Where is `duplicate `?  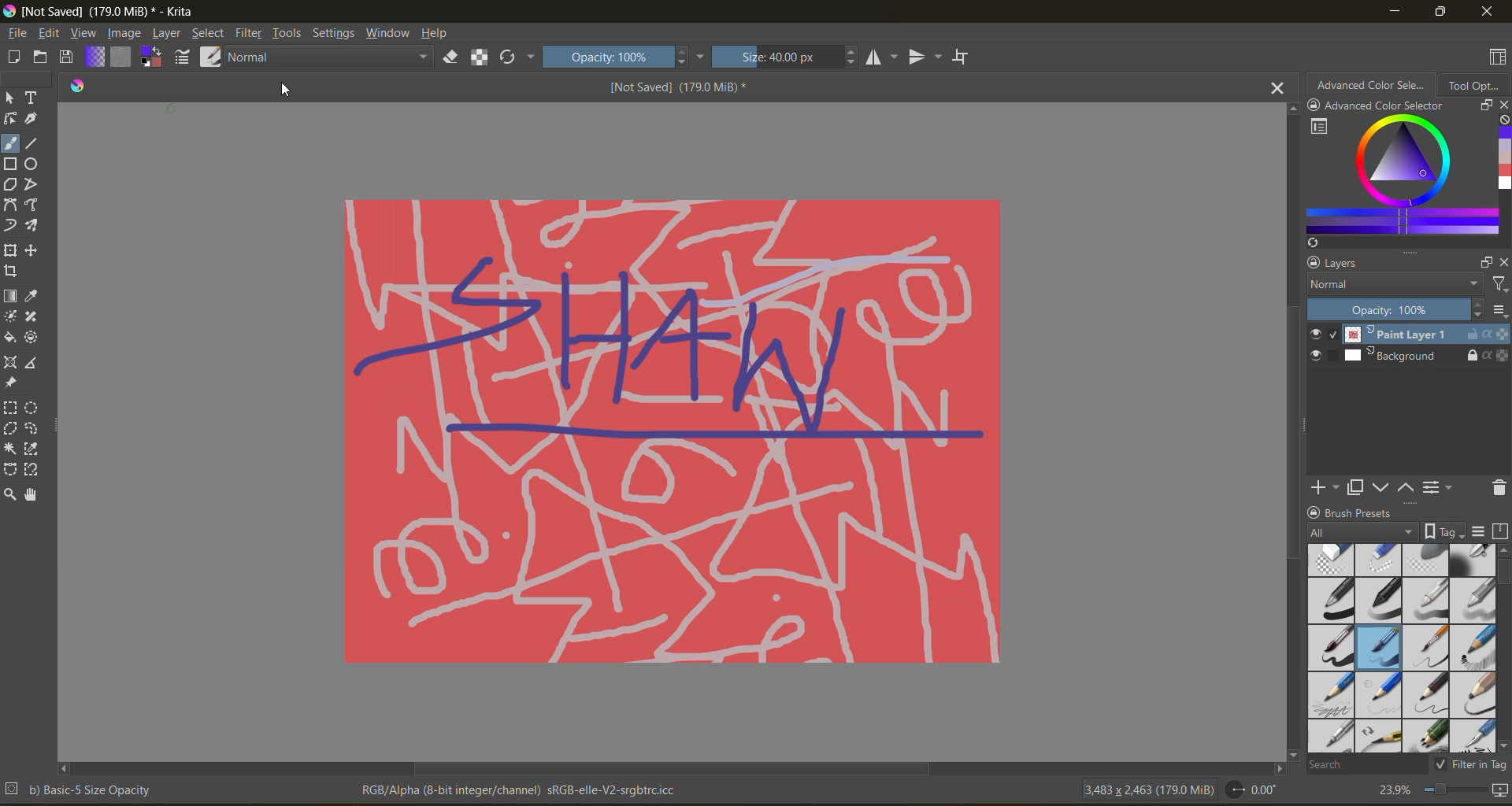 duplicate  is located at coordinates (1355, 487).